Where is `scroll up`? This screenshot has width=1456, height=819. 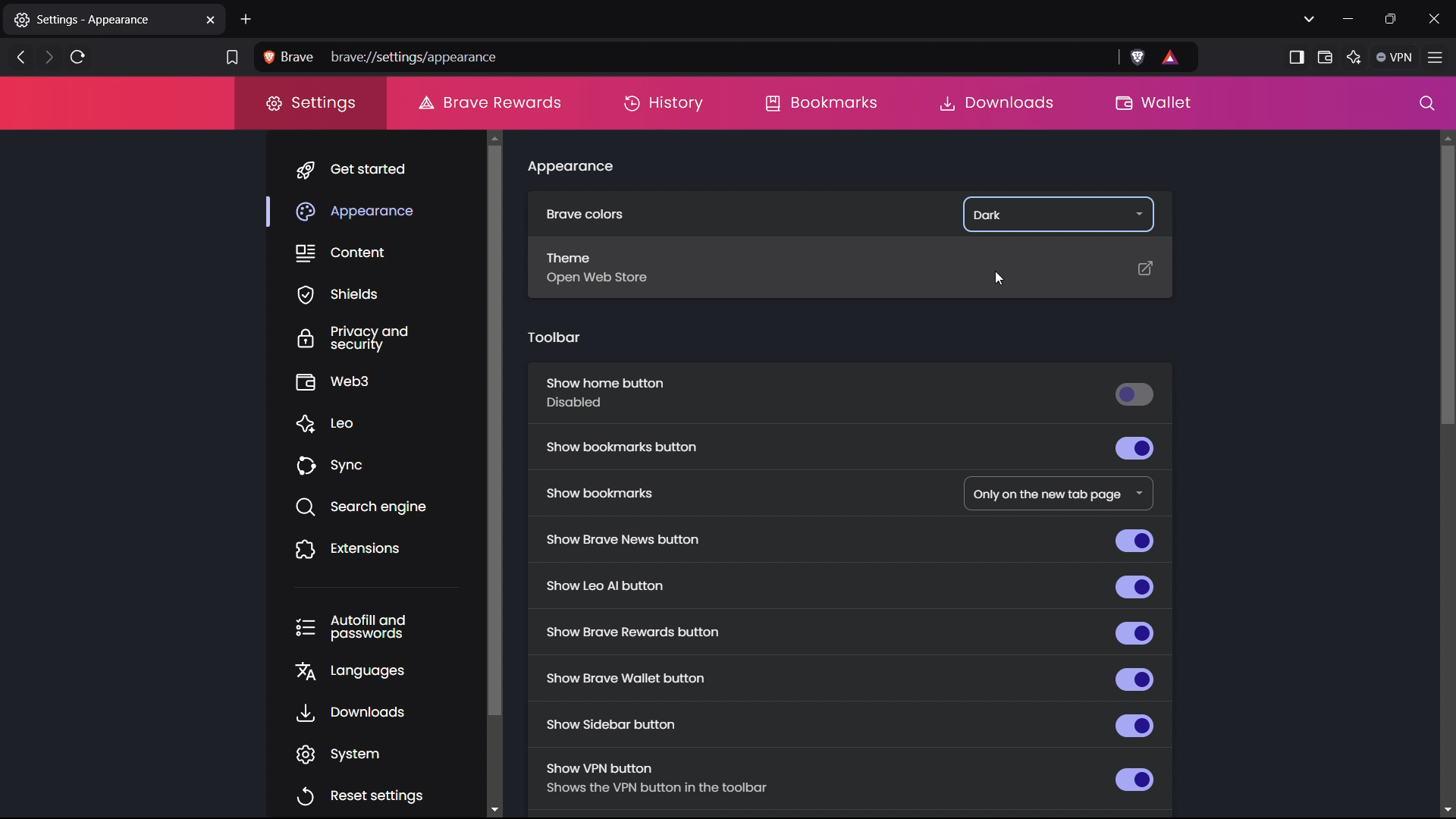
scroll up is located at coordinates (1446, 137).